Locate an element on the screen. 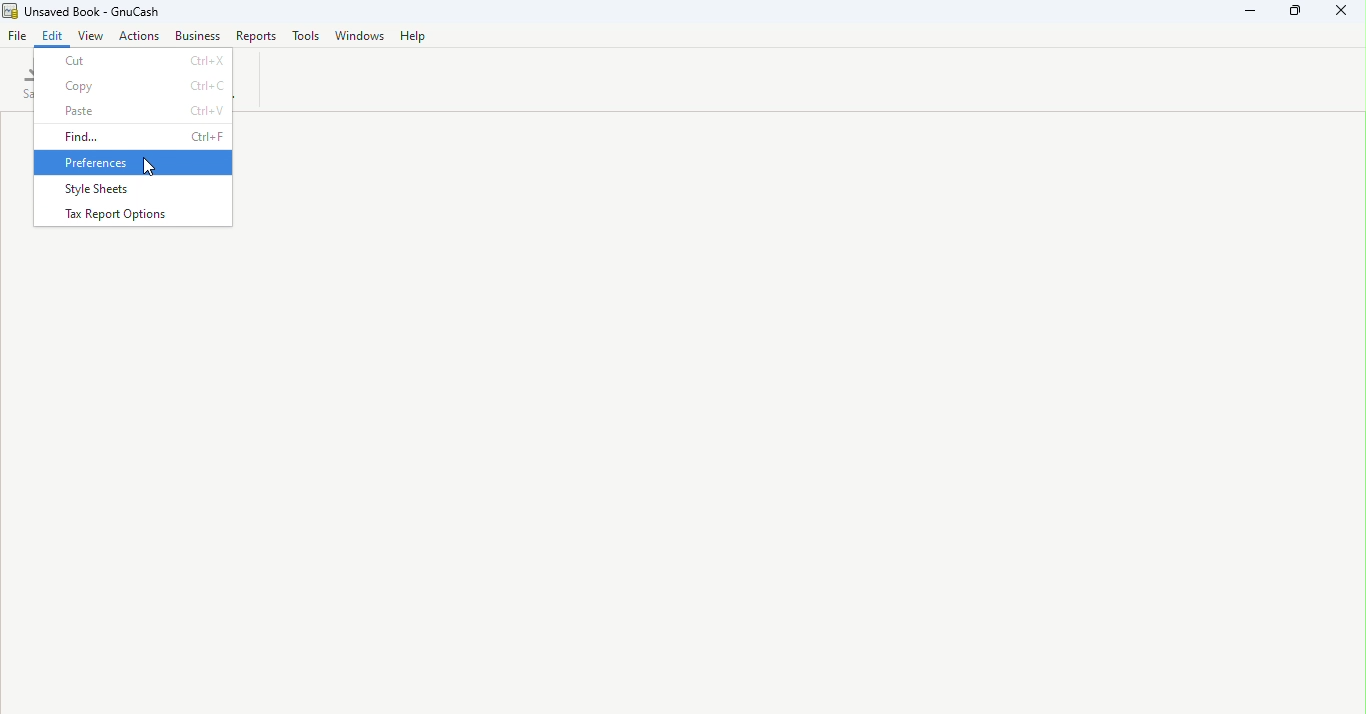 The height and width of the screenshot is (714, 1366). Minimize is located at coordinates (1253, 14).